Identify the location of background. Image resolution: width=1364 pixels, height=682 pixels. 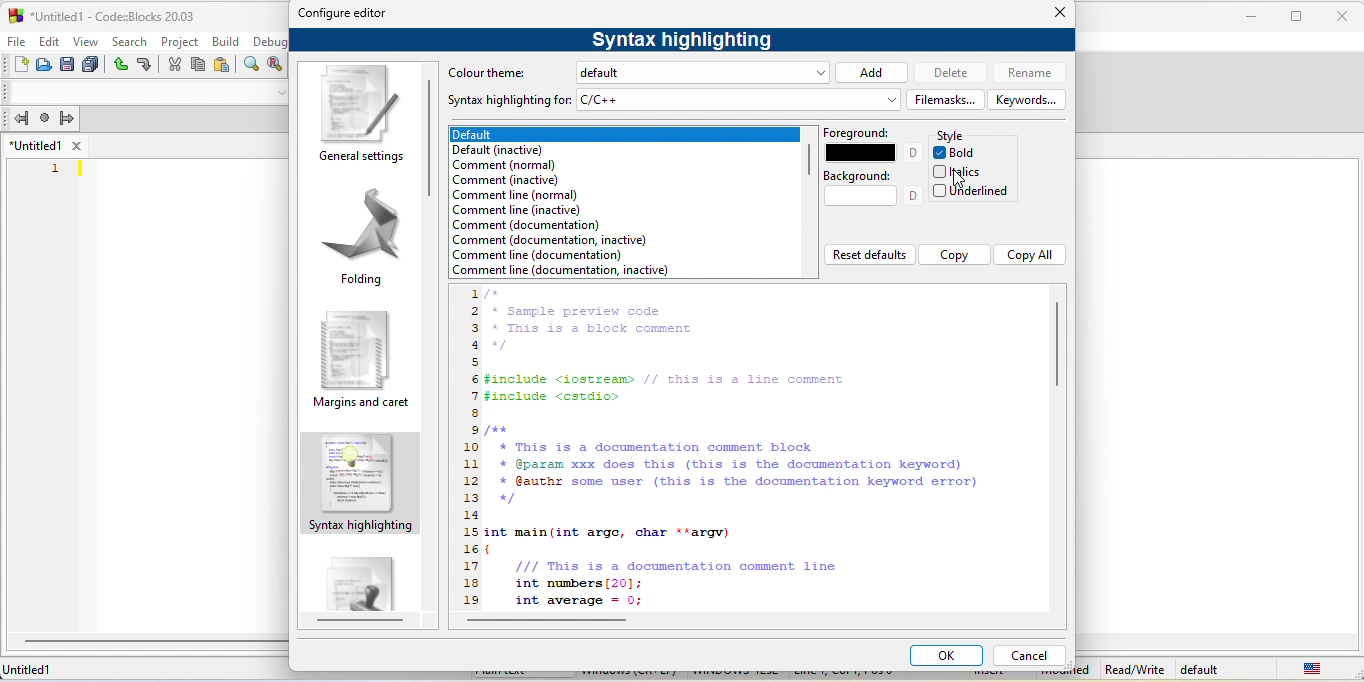
(871, 190).